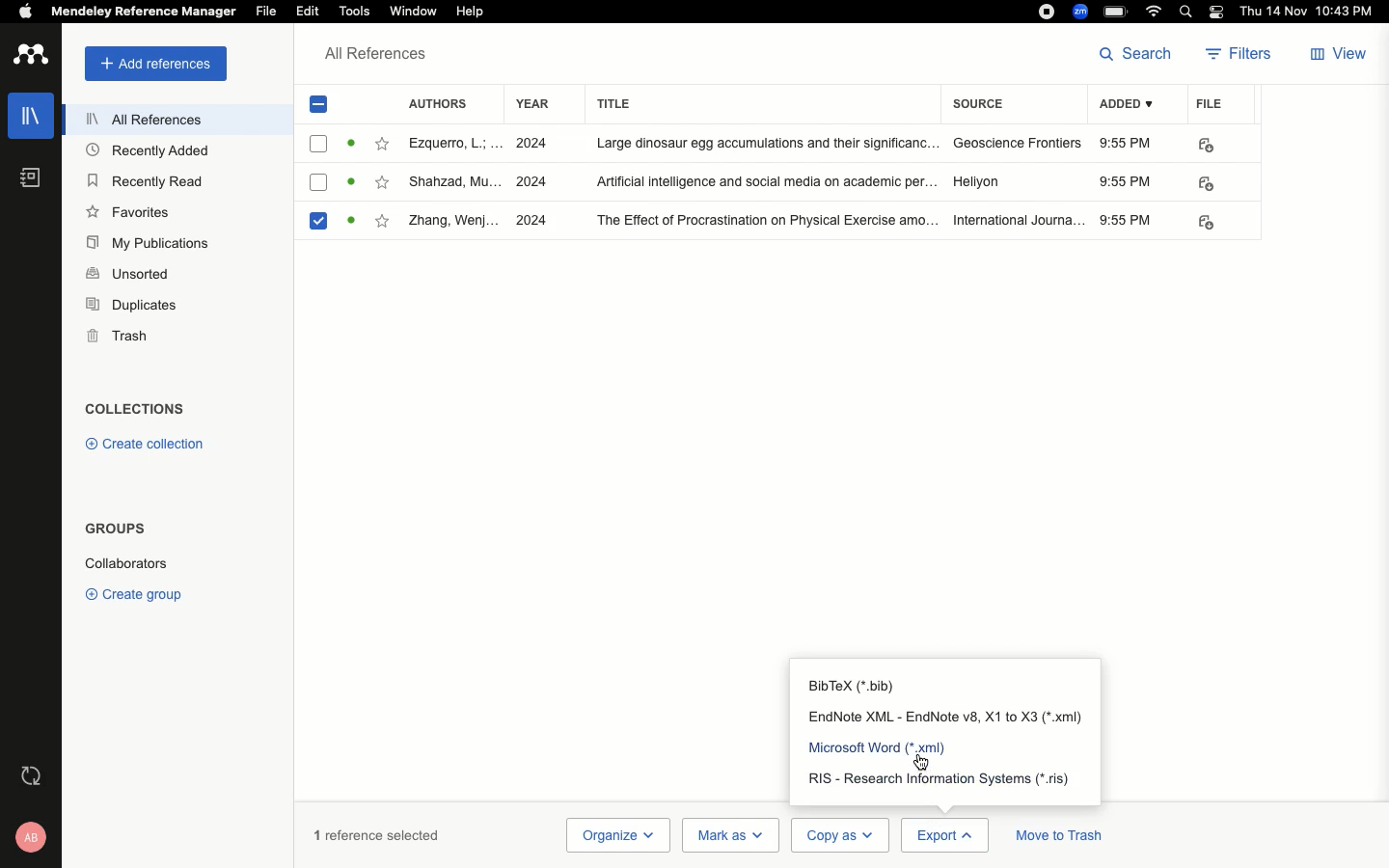 This screenshot has height=868, width=1389. I want to click on Date/time, so click(1312, 13).